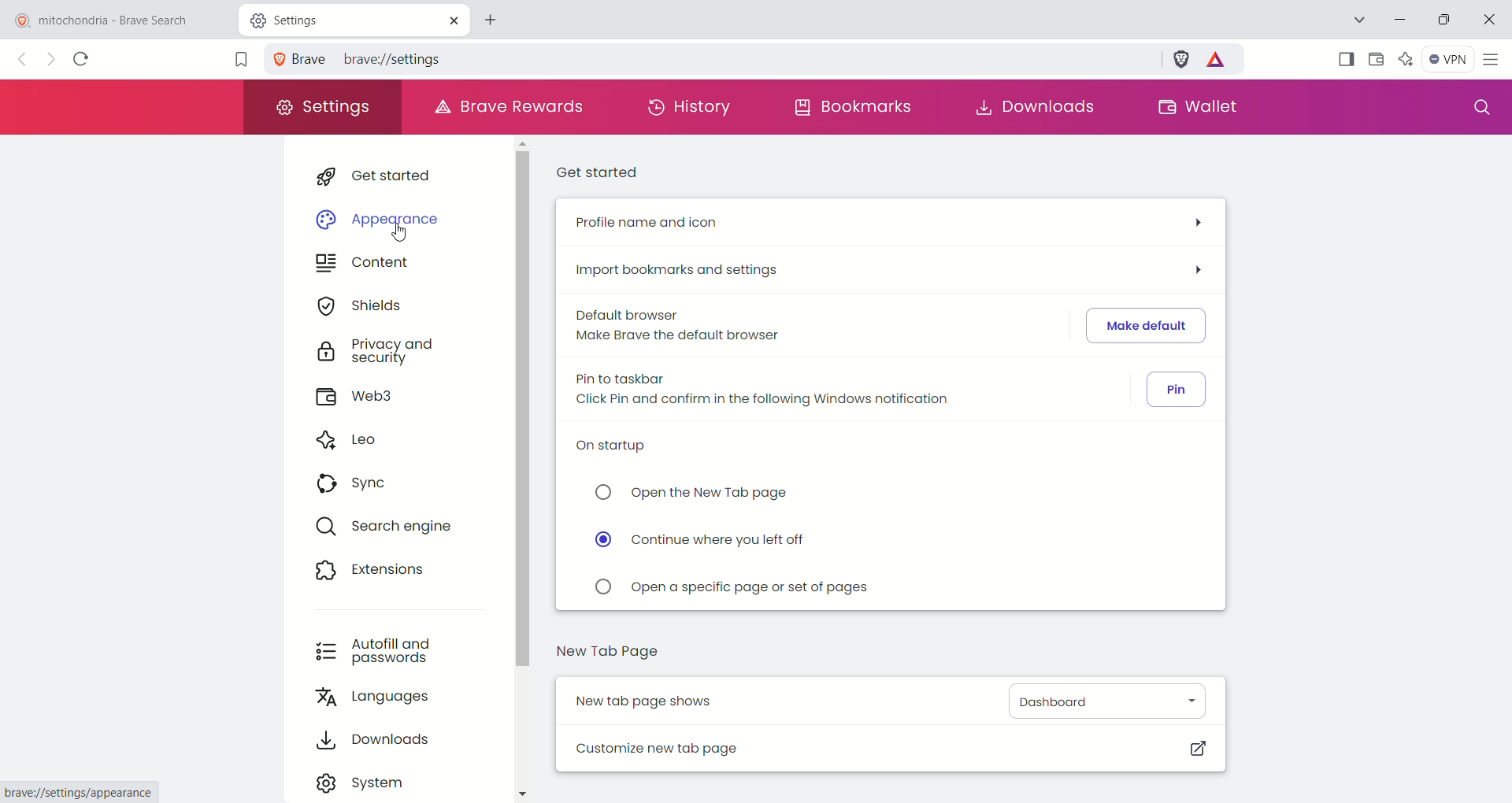  Describe the element at coordinates (1447, 20) in the screenshot. I see `maximize` at that location.